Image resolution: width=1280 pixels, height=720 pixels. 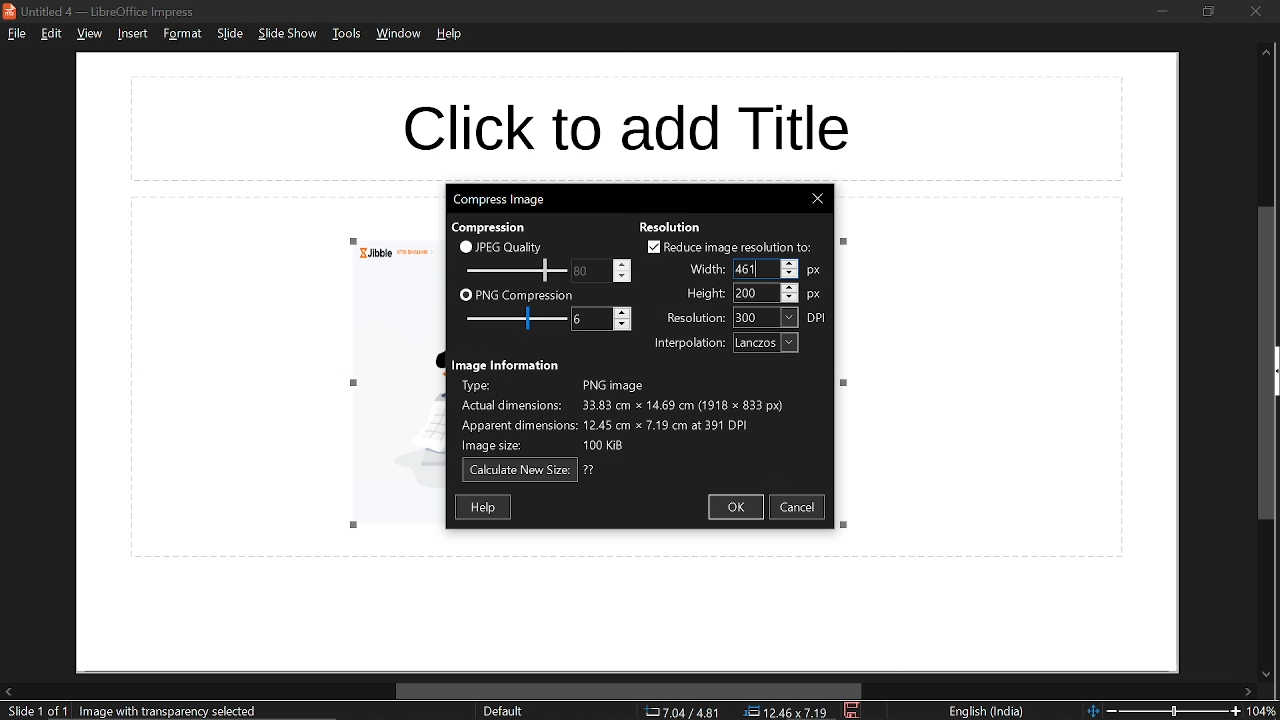 What do you see at coordinates (345, 37) in the screenshot?
I see `tools` at bounding box center [345, 37].